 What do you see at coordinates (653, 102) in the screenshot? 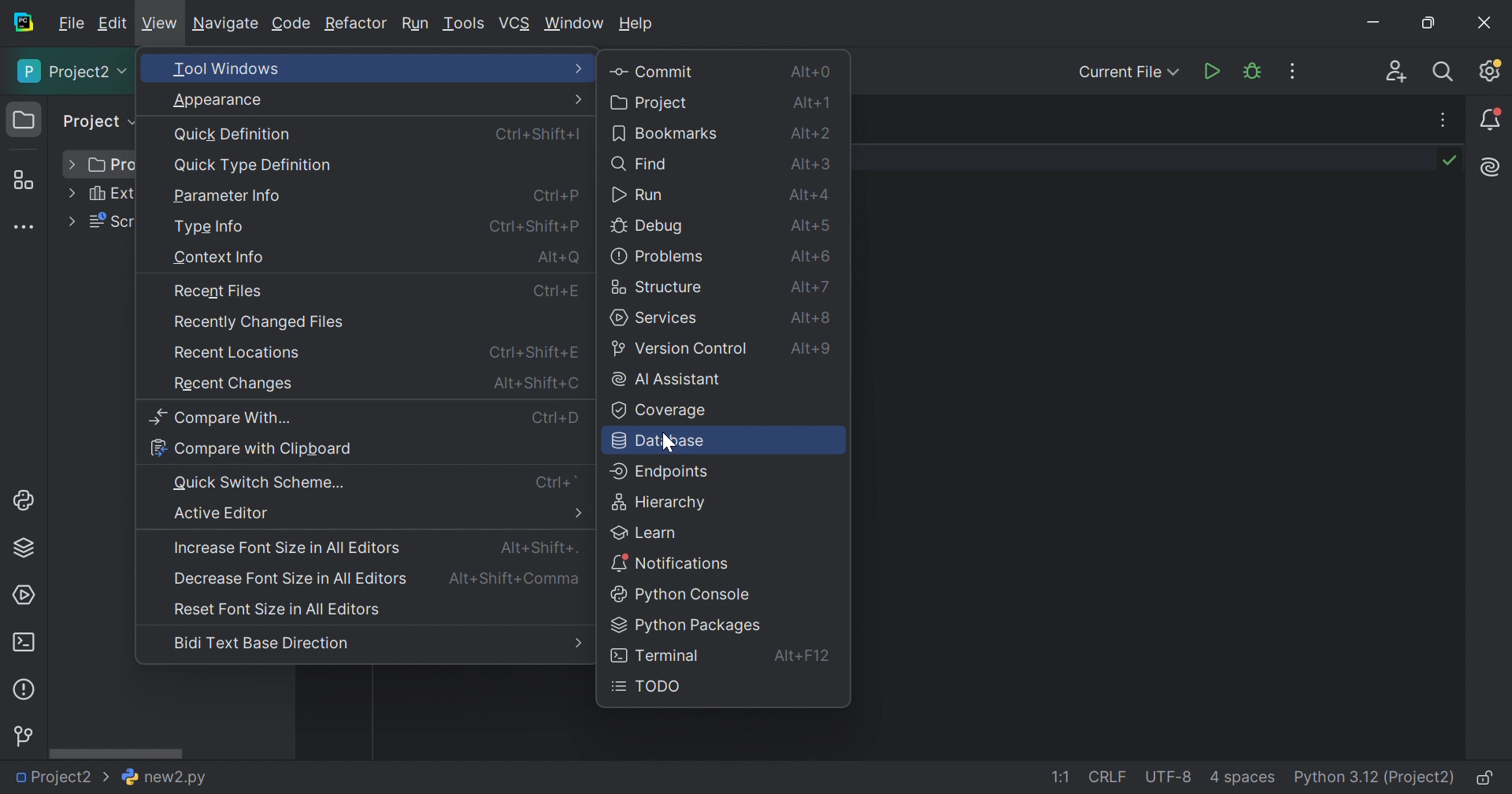
I see `Project` at bounding box center [653, 102].